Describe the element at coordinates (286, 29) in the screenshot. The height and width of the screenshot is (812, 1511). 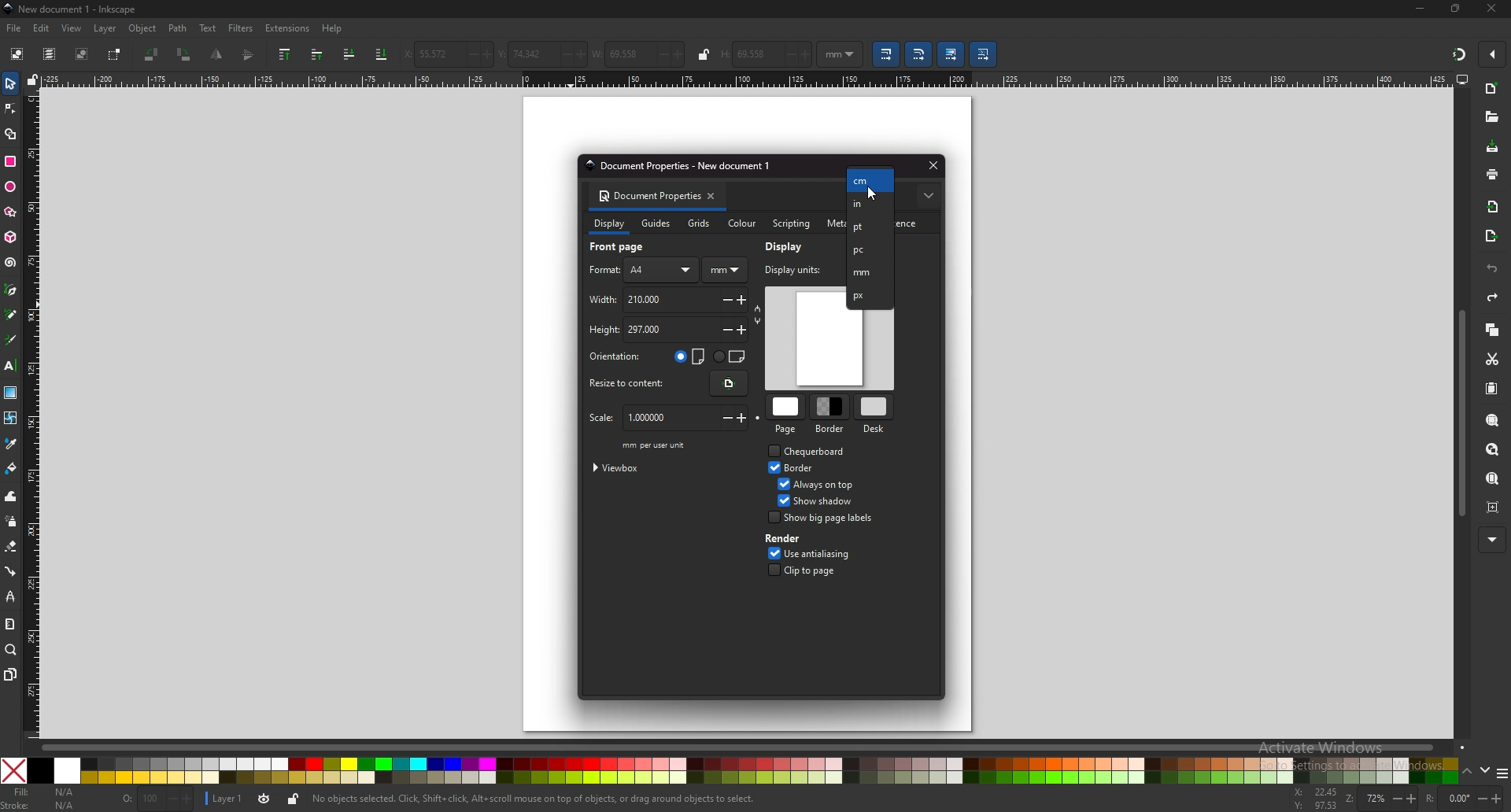
I see `extensions` at that location.